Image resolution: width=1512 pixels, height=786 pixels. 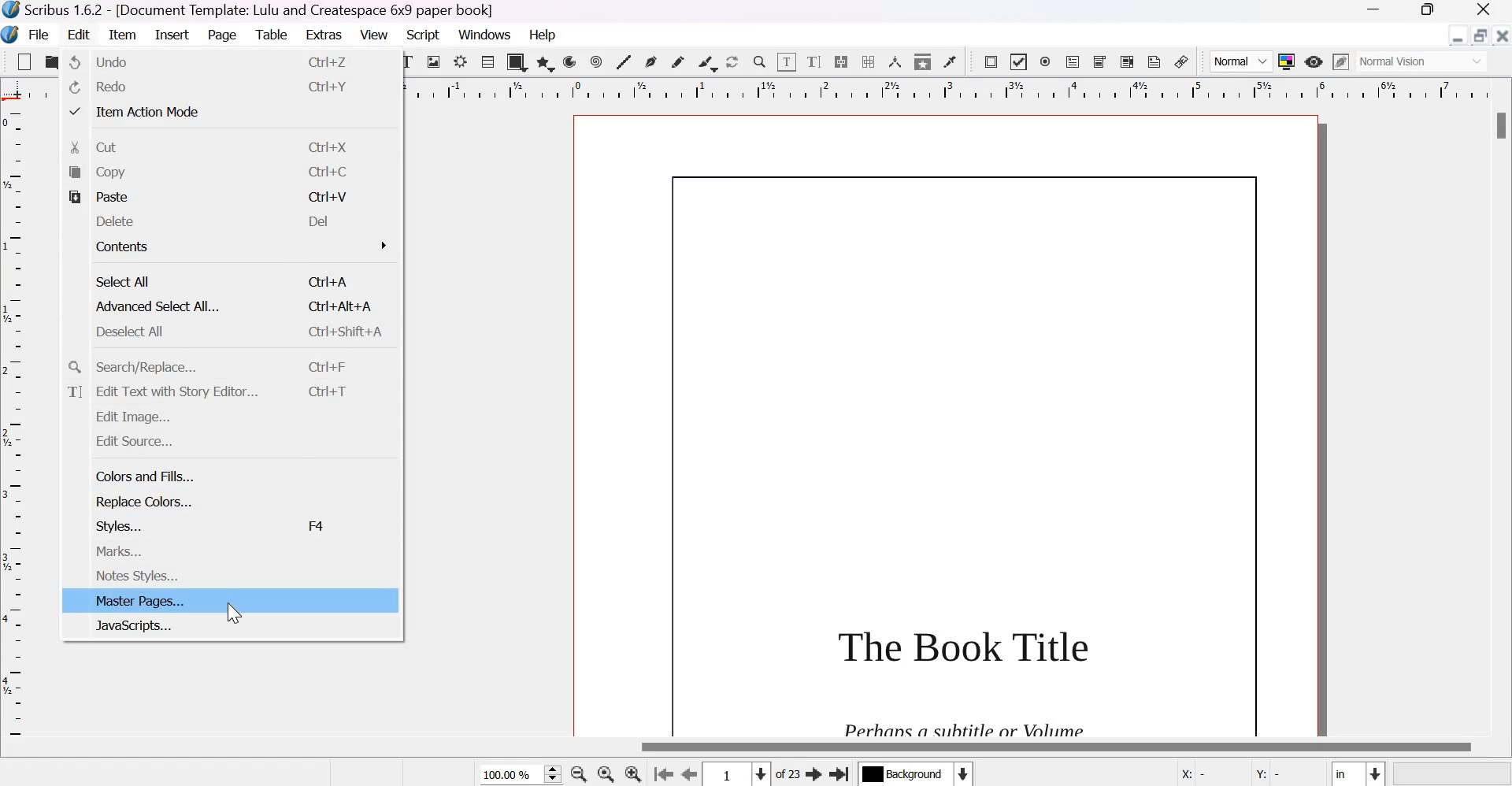 I want to click on notes styles..., so click(x=136, y=577).